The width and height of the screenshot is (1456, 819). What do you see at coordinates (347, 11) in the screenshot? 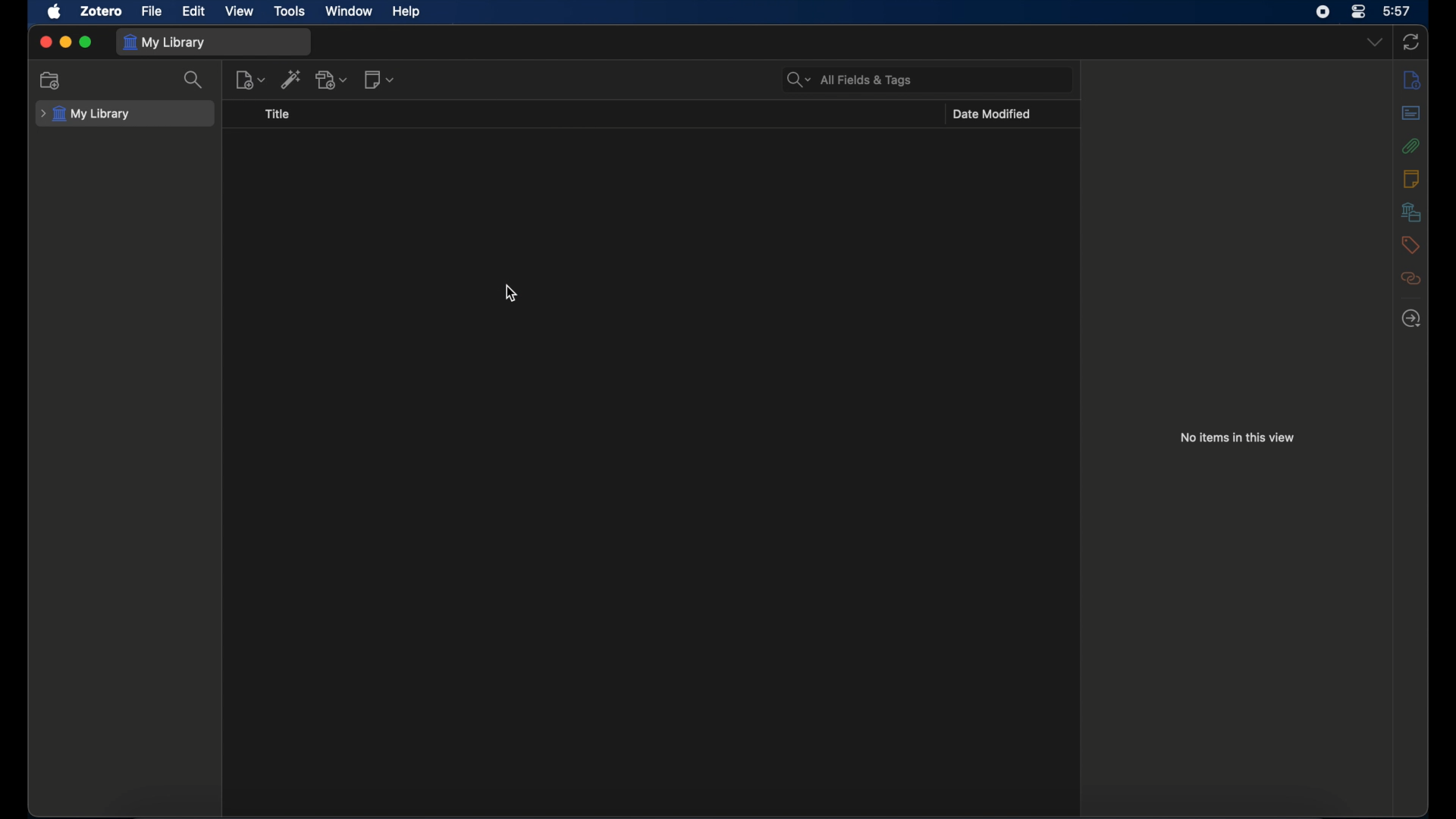
I see `window` at bounding box center [347, 11].